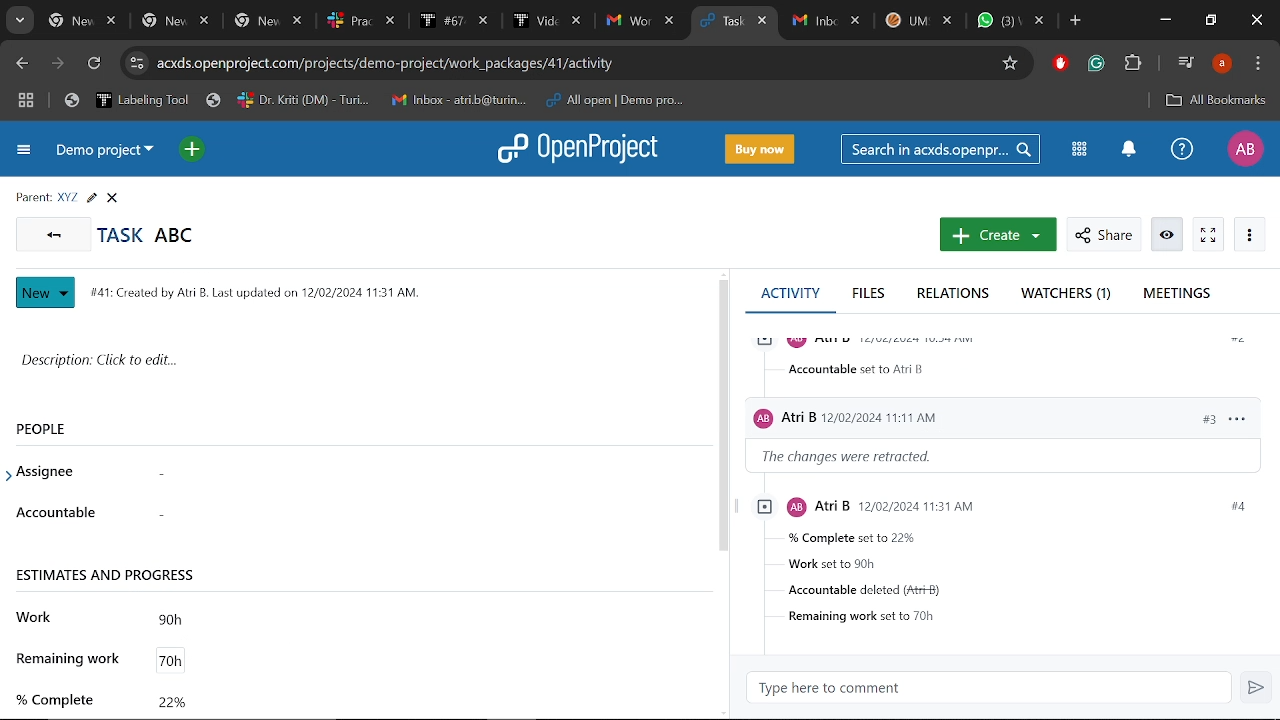 The width and height of the screenshot is (1280, 720). I want to click on % complete, so click(53, 696).